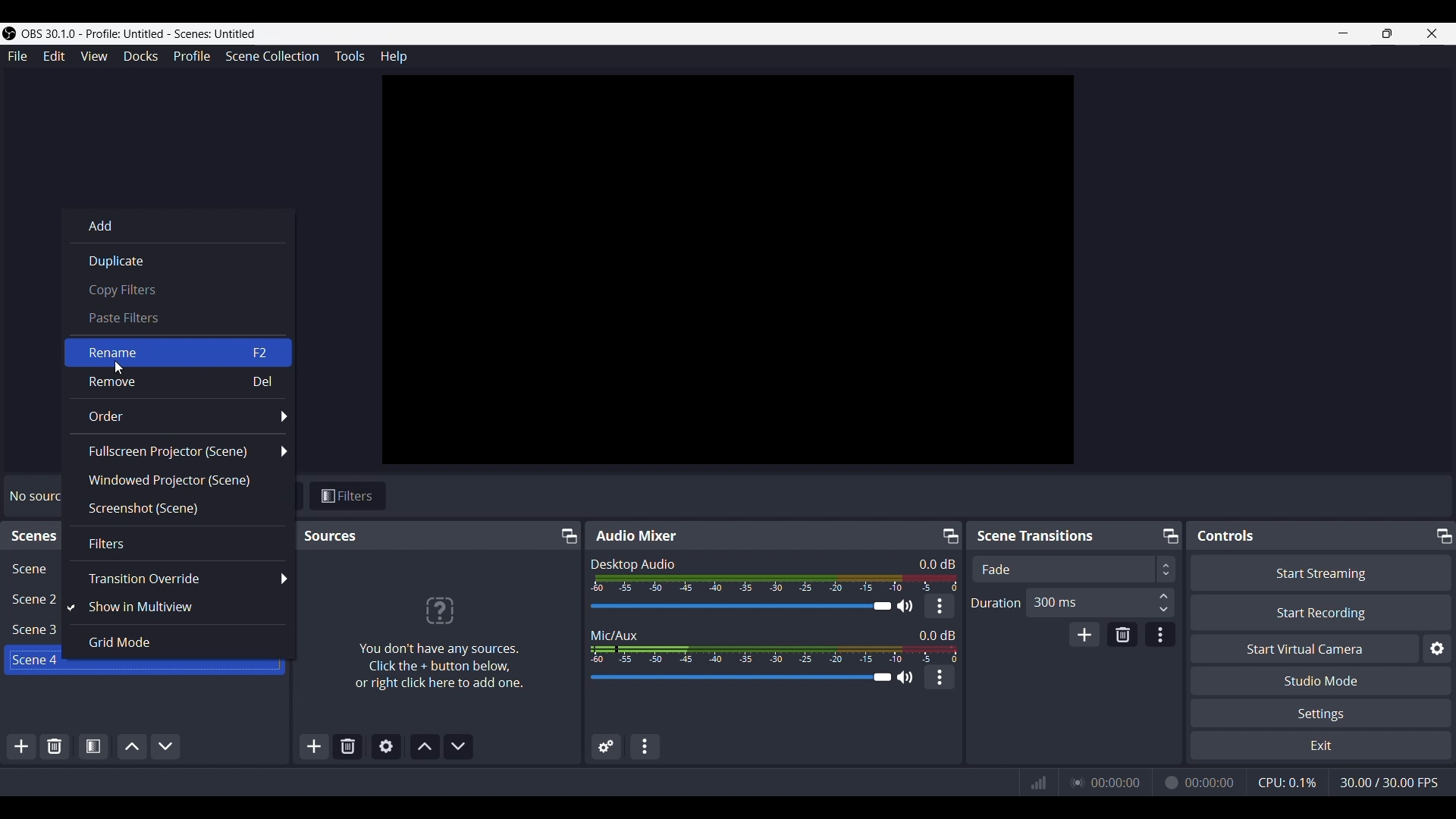 Image resolution: width=1456 pixels, height=819 pixels. I want to click on Filters, so click(348, 495).